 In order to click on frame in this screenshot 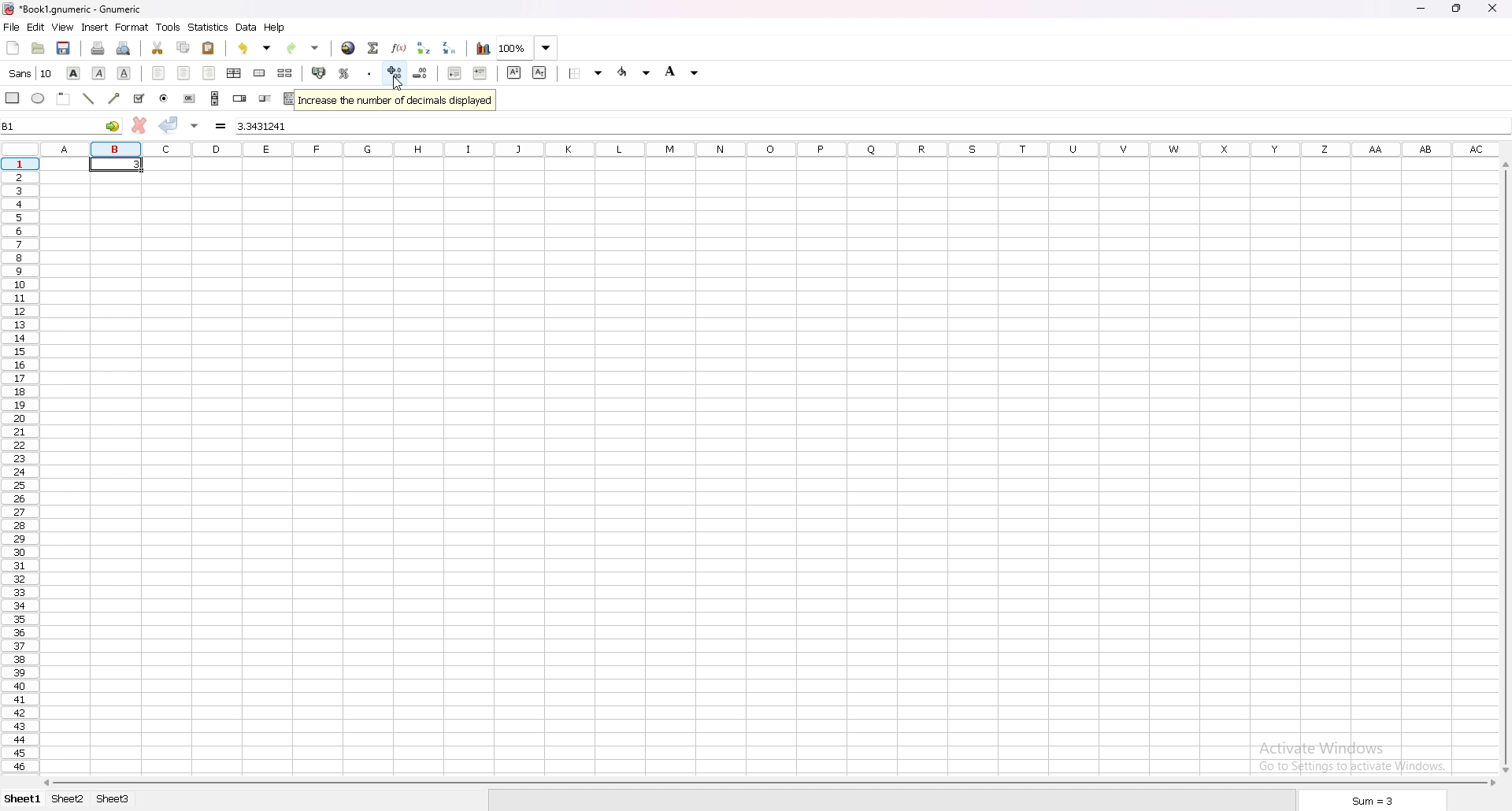, I will do `click(63, 98)`.